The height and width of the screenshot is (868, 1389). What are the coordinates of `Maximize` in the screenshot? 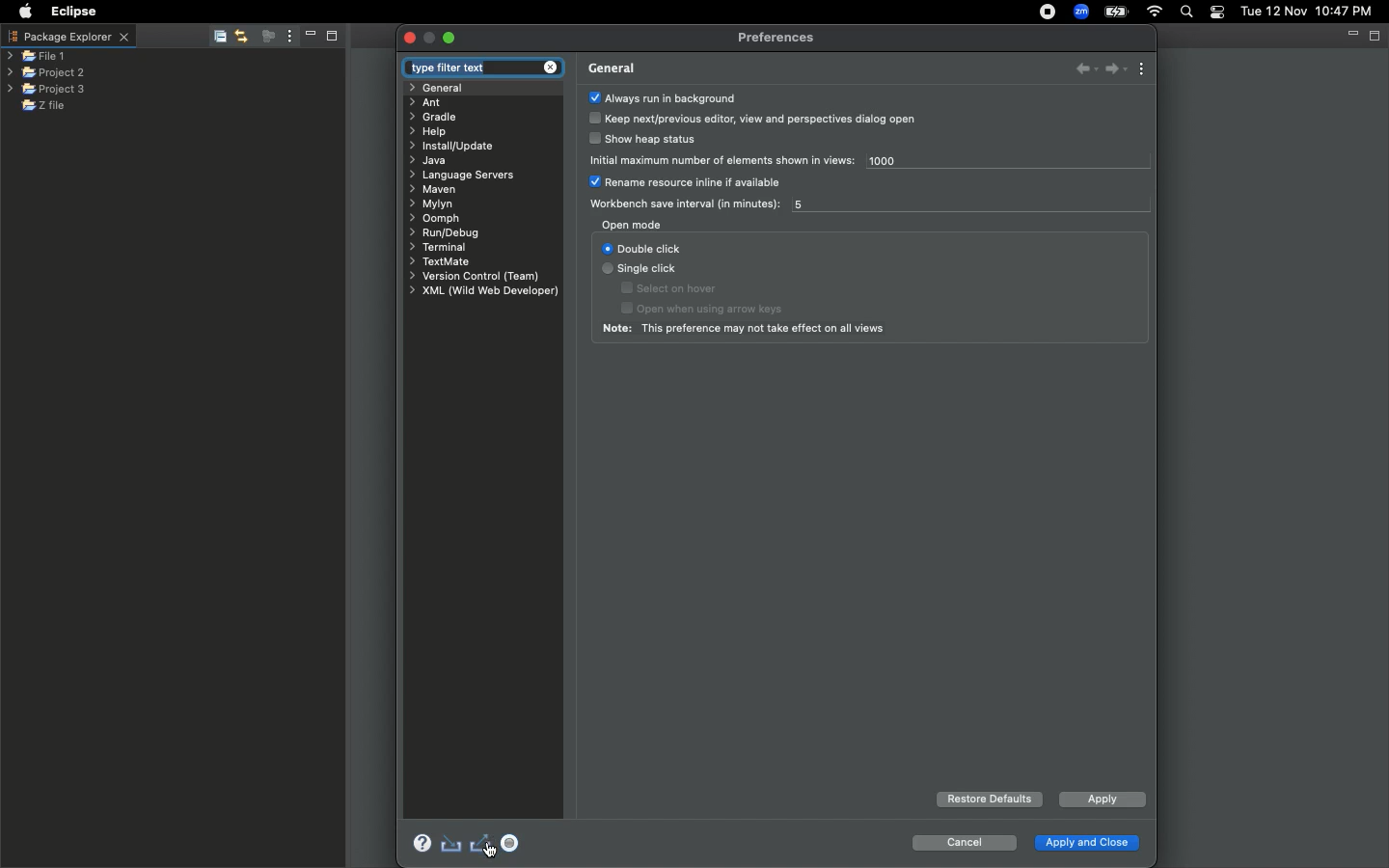 It's located at (334, 38).